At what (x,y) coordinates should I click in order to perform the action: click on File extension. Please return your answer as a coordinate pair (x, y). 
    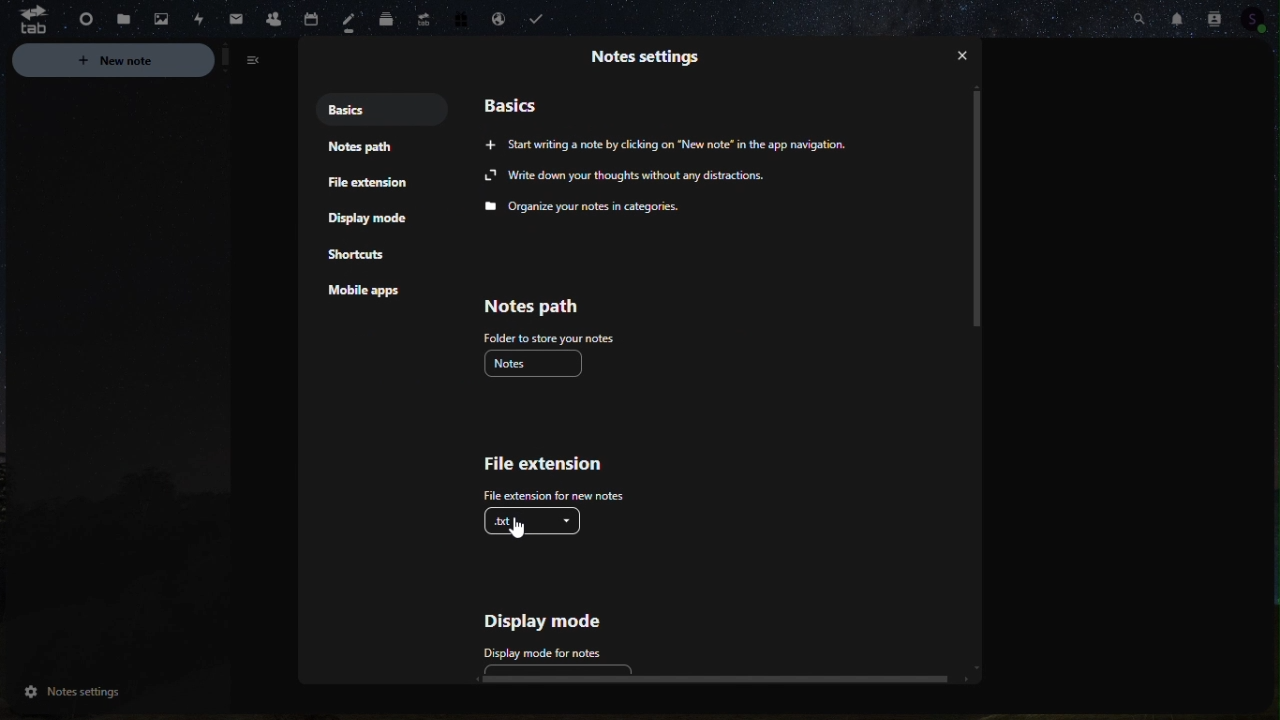
    Looking at the image, I should click on (540, 464).